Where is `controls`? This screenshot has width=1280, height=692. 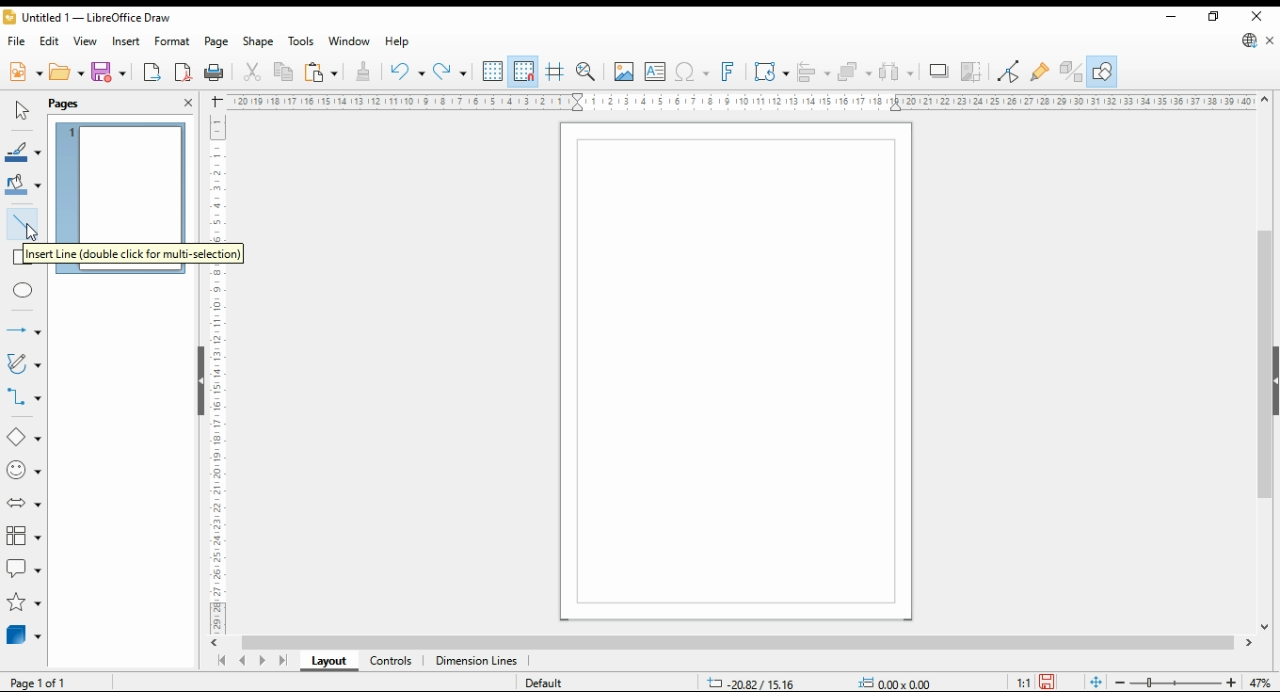 controls is located at coordinates (390, 662).